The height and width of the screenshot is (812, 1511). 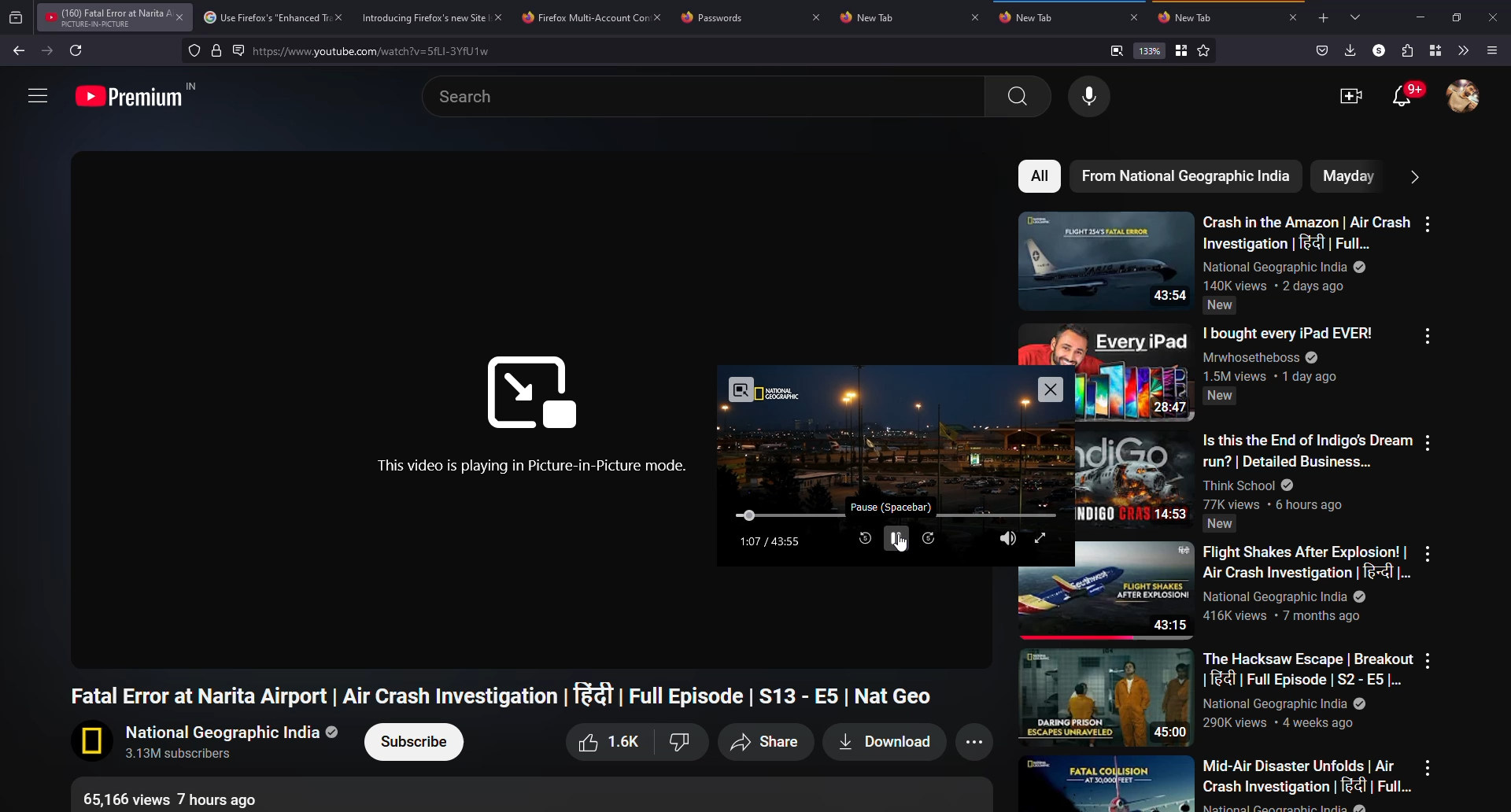 I want to click on more tools, so click(x=1462, y=50).